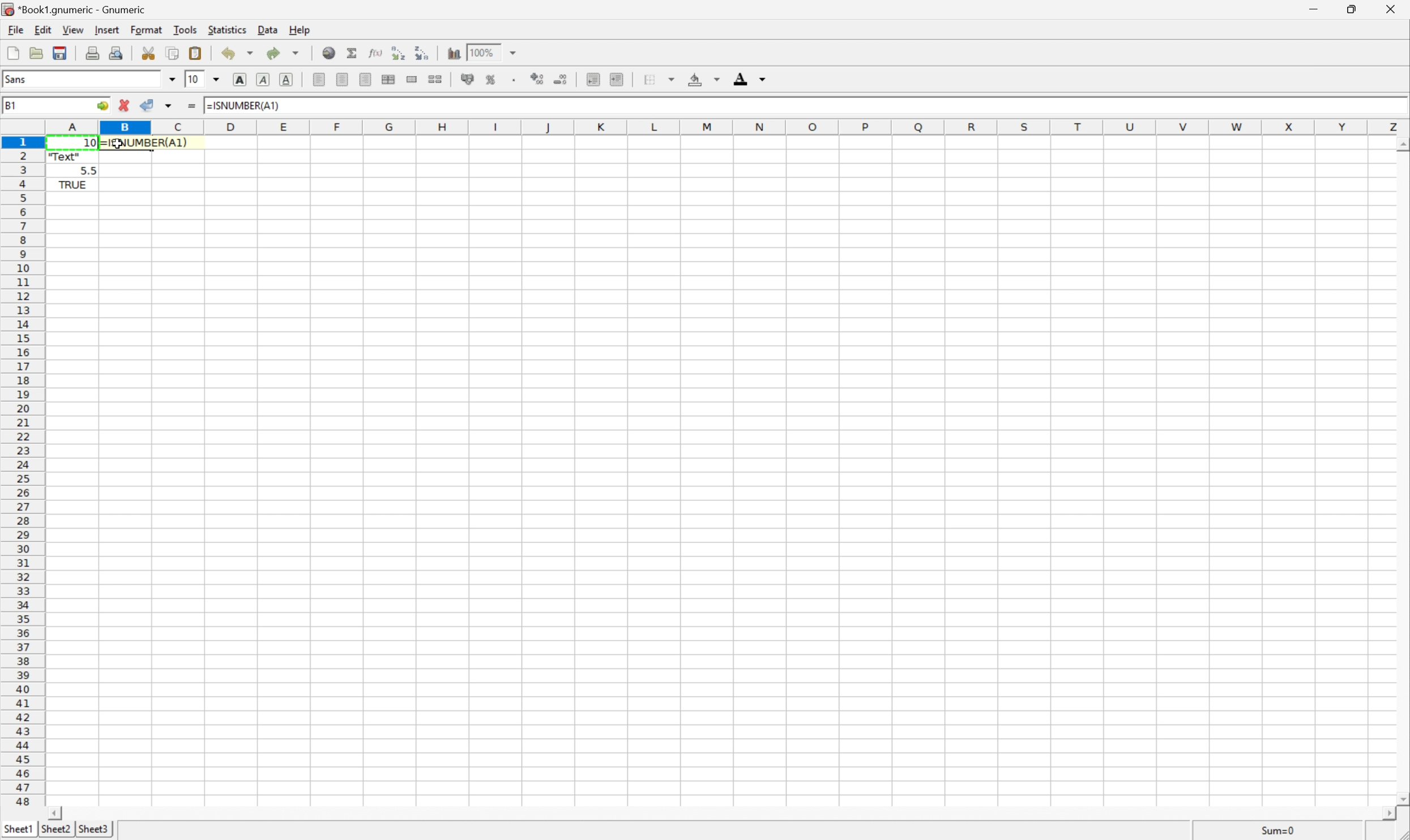 The width and height of the screenshot is (1410, 840). Describe the element at coordinates (1354, 8) in the screenshot. I see `Restore Down` at that location.